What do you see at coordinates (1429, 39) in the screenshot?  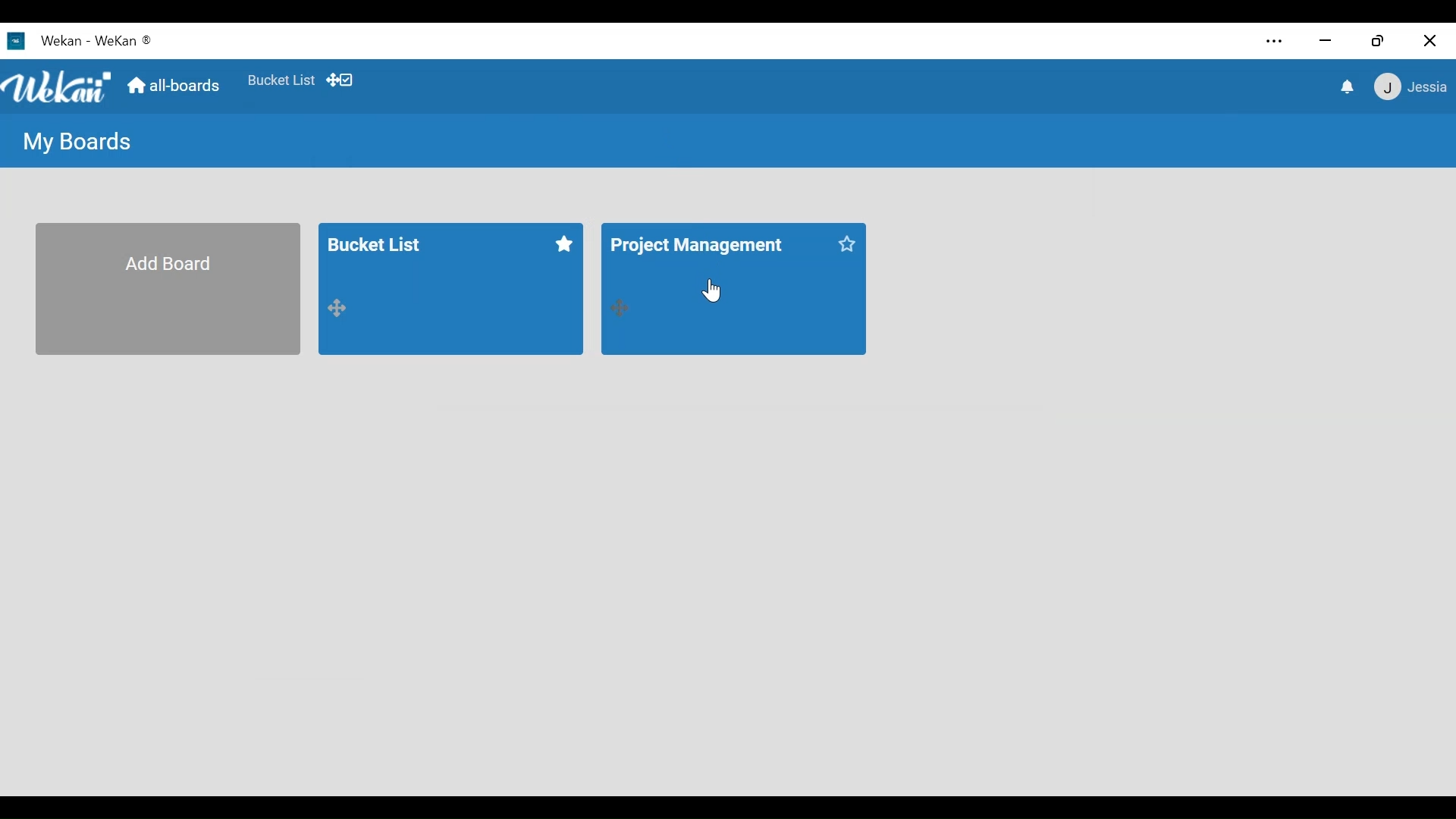 I see `Close` at bounding box center [1429, 39].